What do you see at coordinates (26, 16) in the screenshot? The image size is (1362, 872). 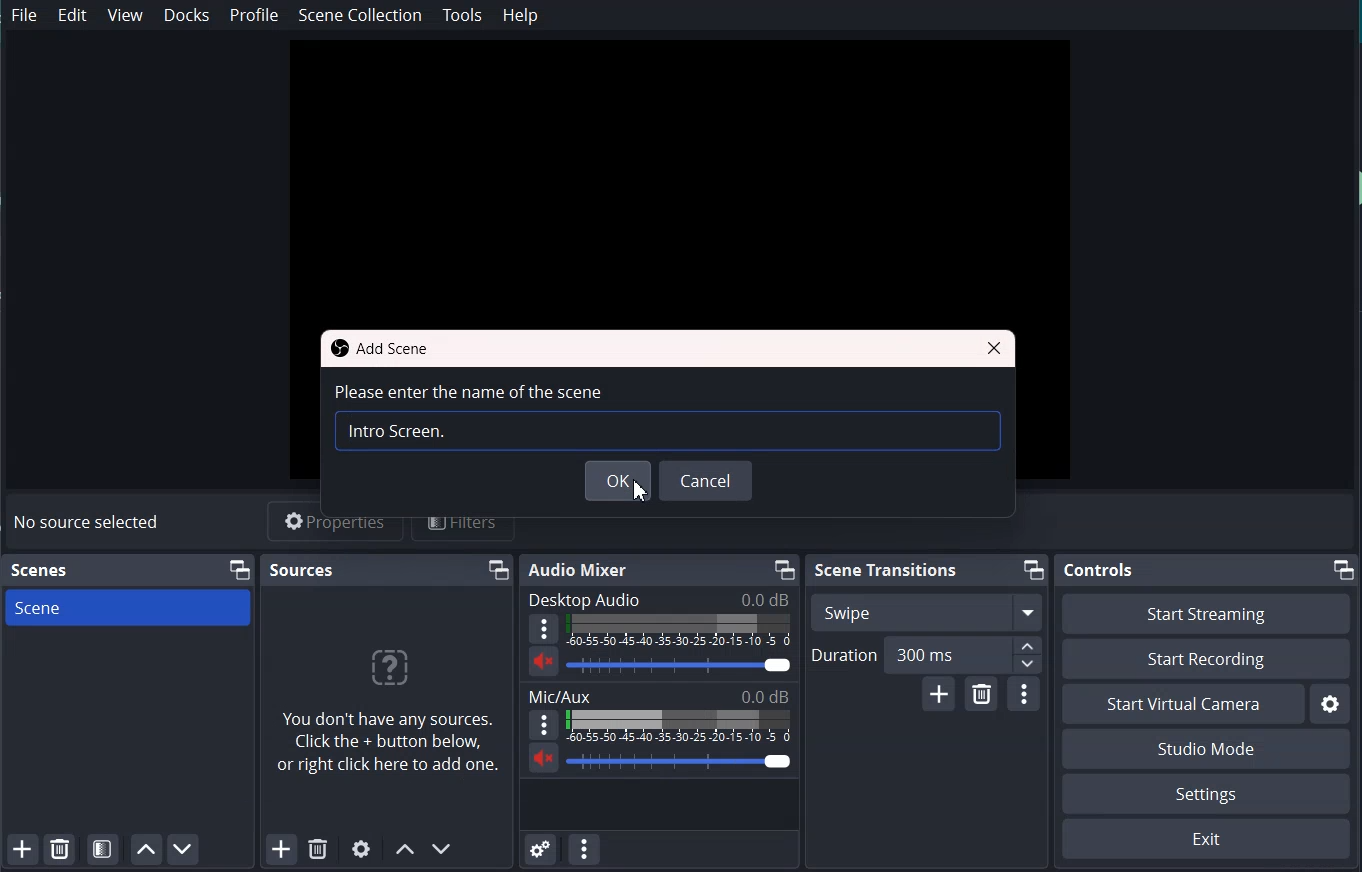 I see `File` at bounding box center [26, 16].